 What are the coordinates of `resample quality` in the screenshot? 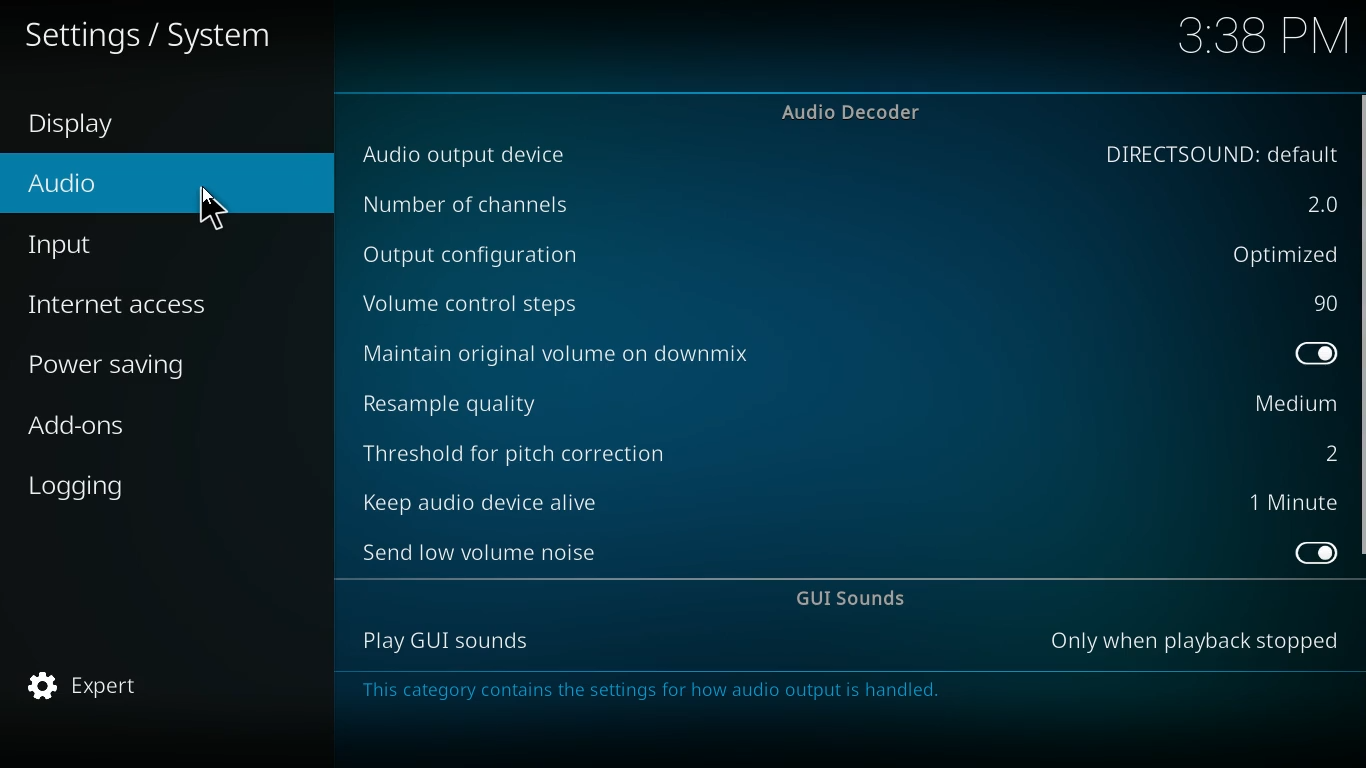 It's located at (486, 400).